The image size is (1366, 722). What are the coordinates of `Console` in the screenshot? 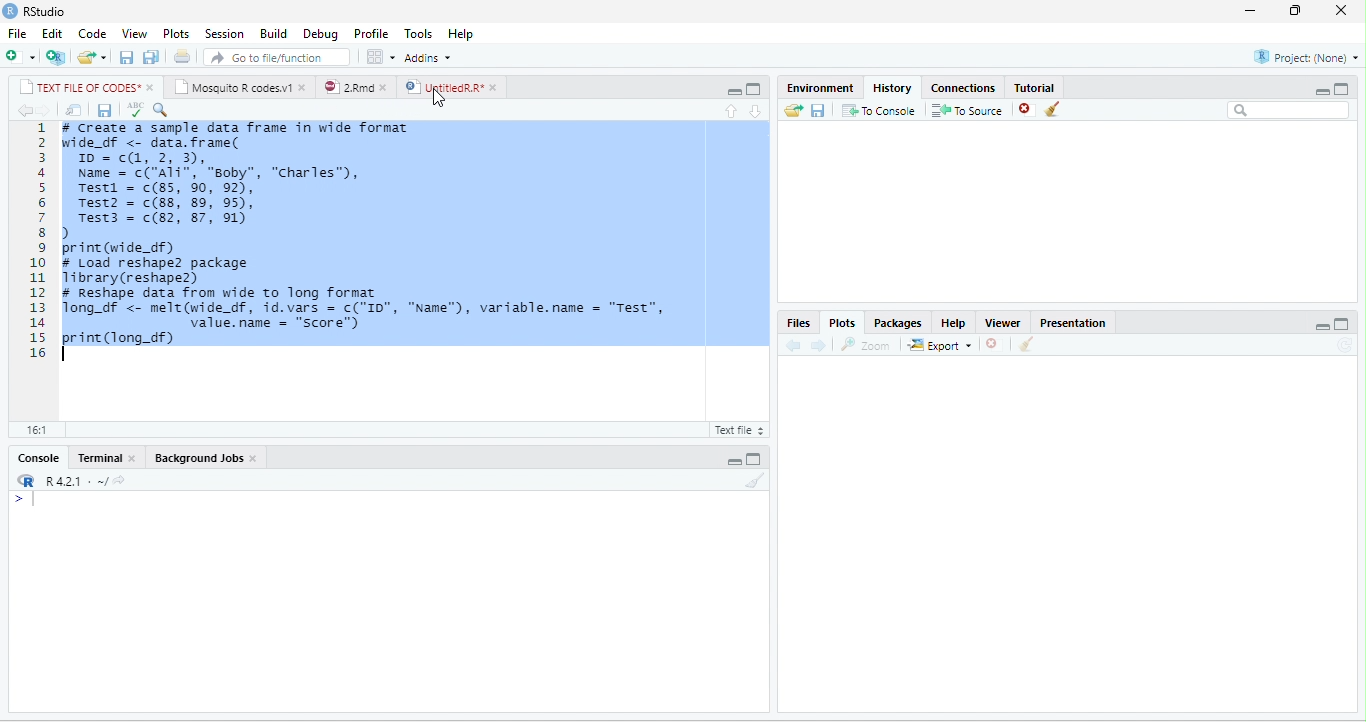 It's located at (38, 457).